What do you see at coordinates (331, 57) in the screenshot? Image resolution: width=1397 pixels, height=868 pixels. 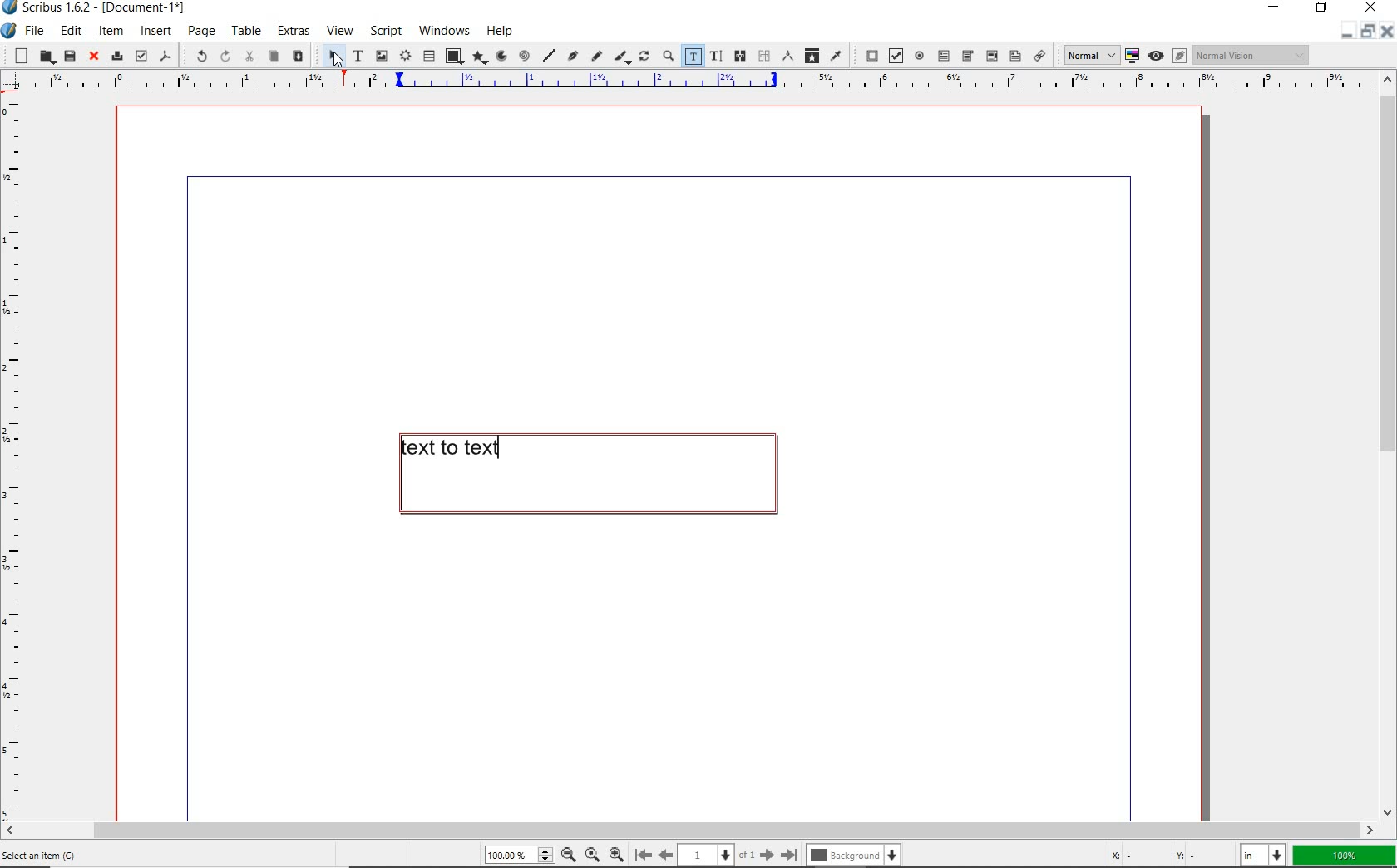 I see `select item` at bounding box center [331, 57].